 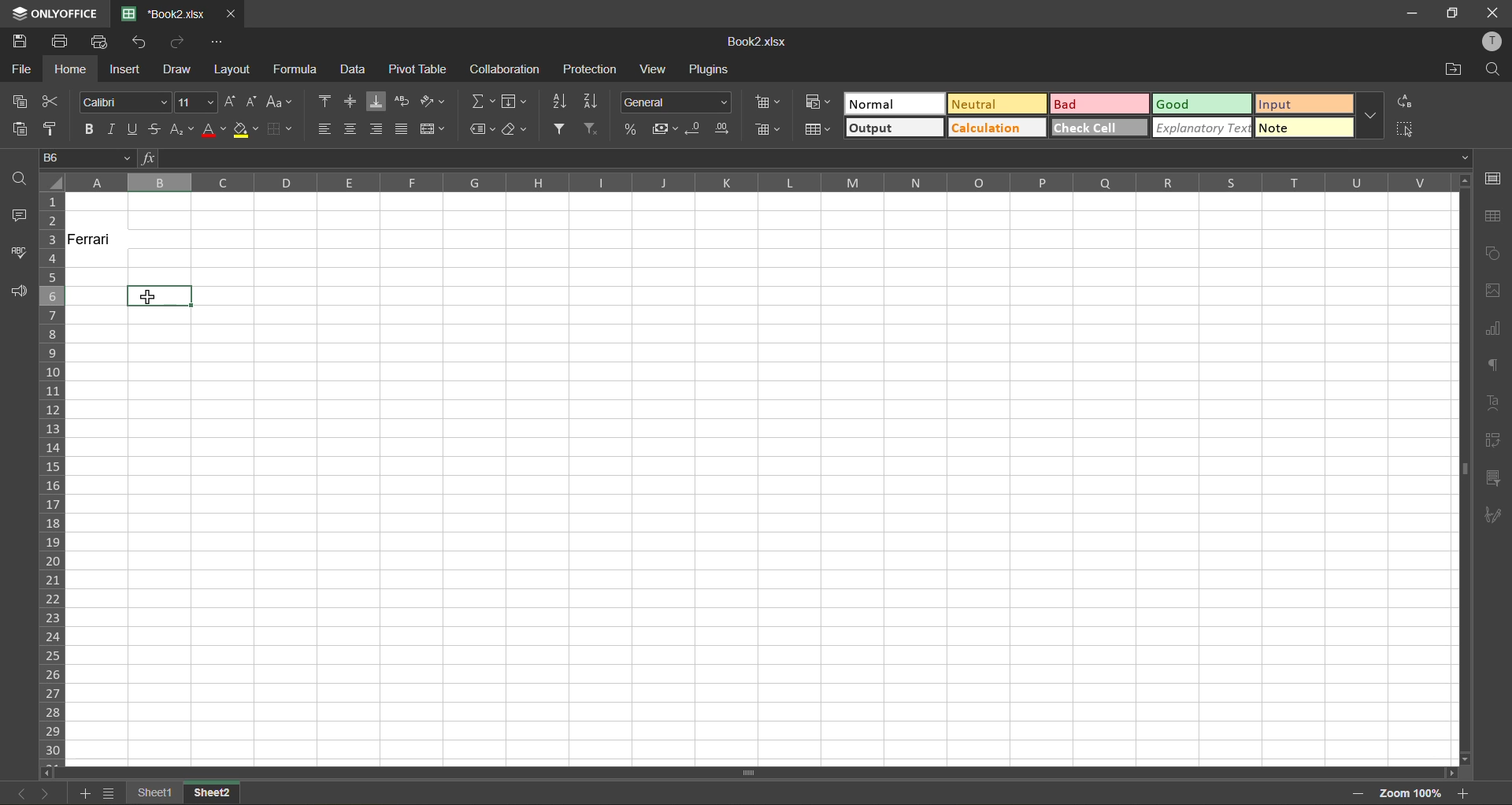 I want to click on copy style, so click(x=52, y=130).